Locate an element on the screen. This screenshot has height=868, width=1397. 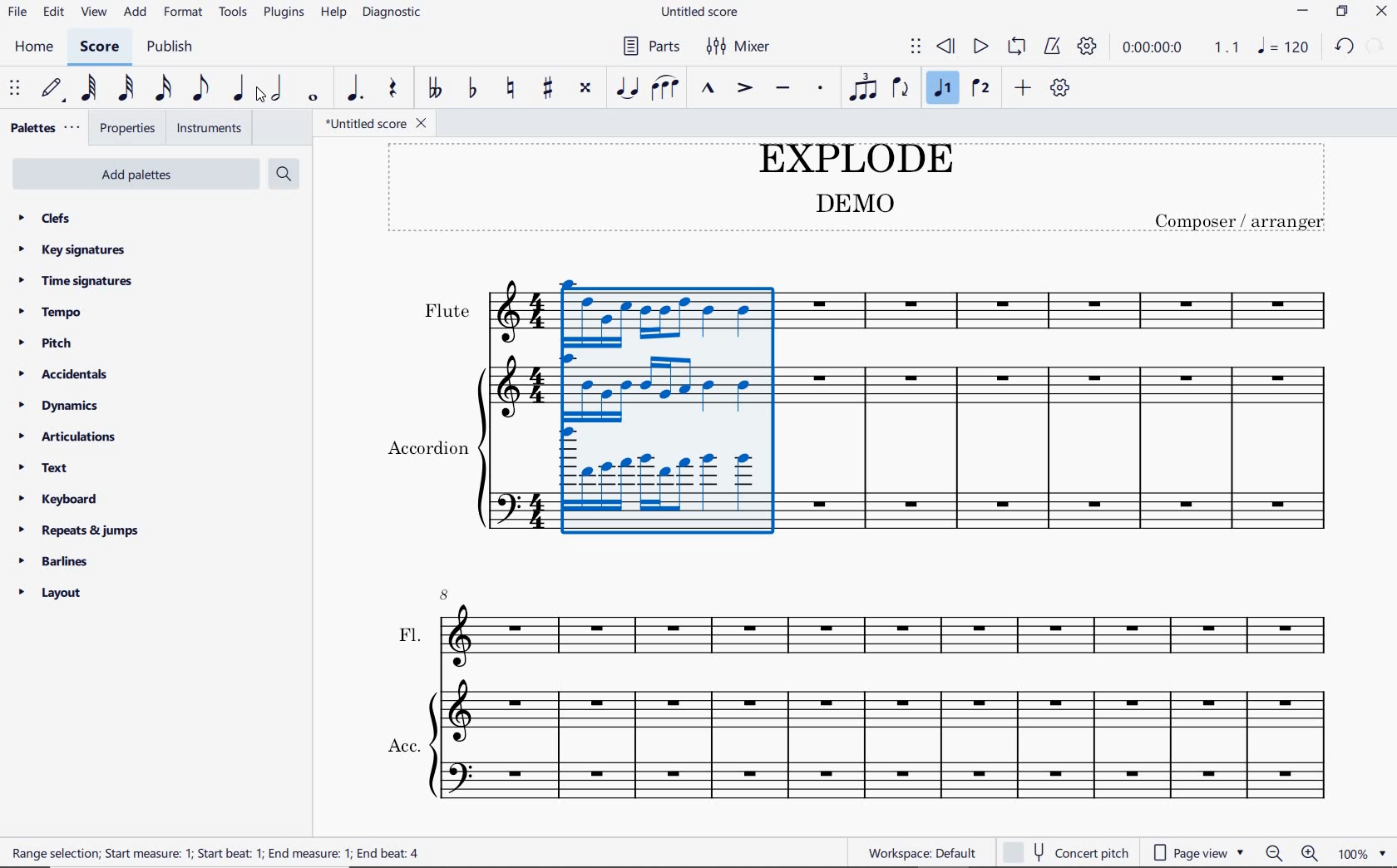
accent is located at coordinates (742, 89).